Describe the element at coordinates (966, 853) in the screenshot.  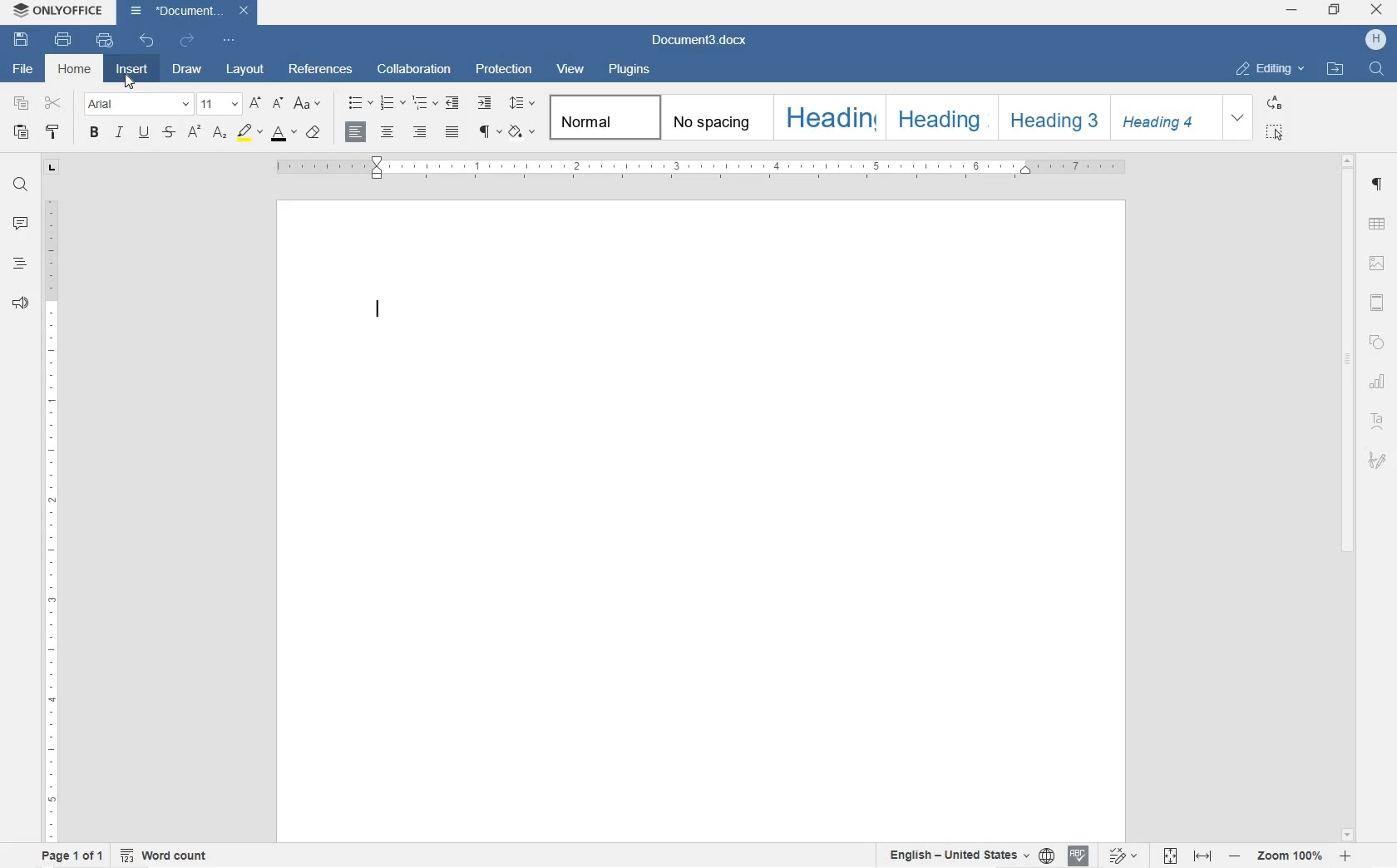
I see `SET TEXT OR DOCUMENT LANGUAGE` at that location.